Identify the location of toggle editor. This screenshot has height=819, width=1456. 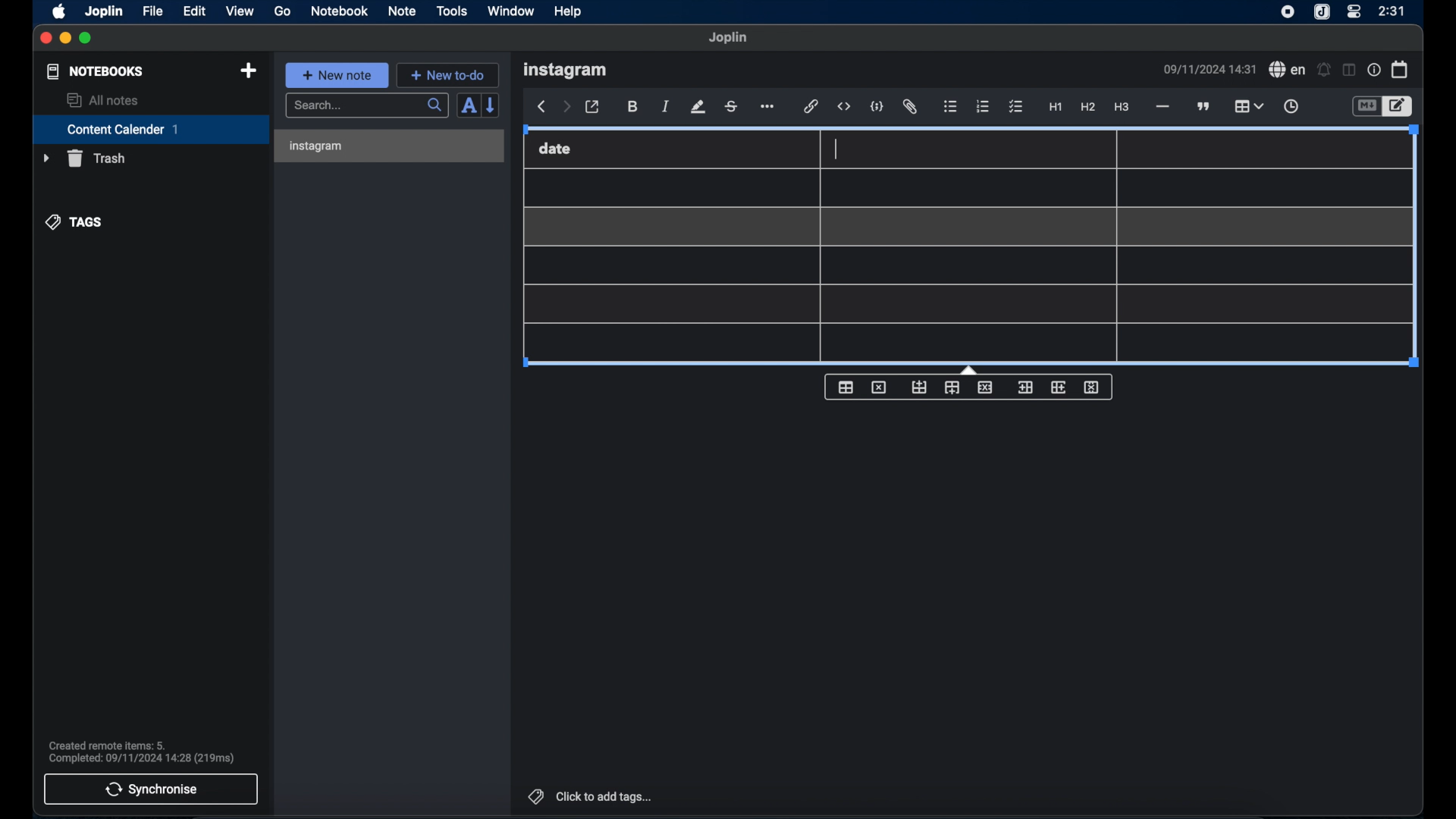
(1401, 105).